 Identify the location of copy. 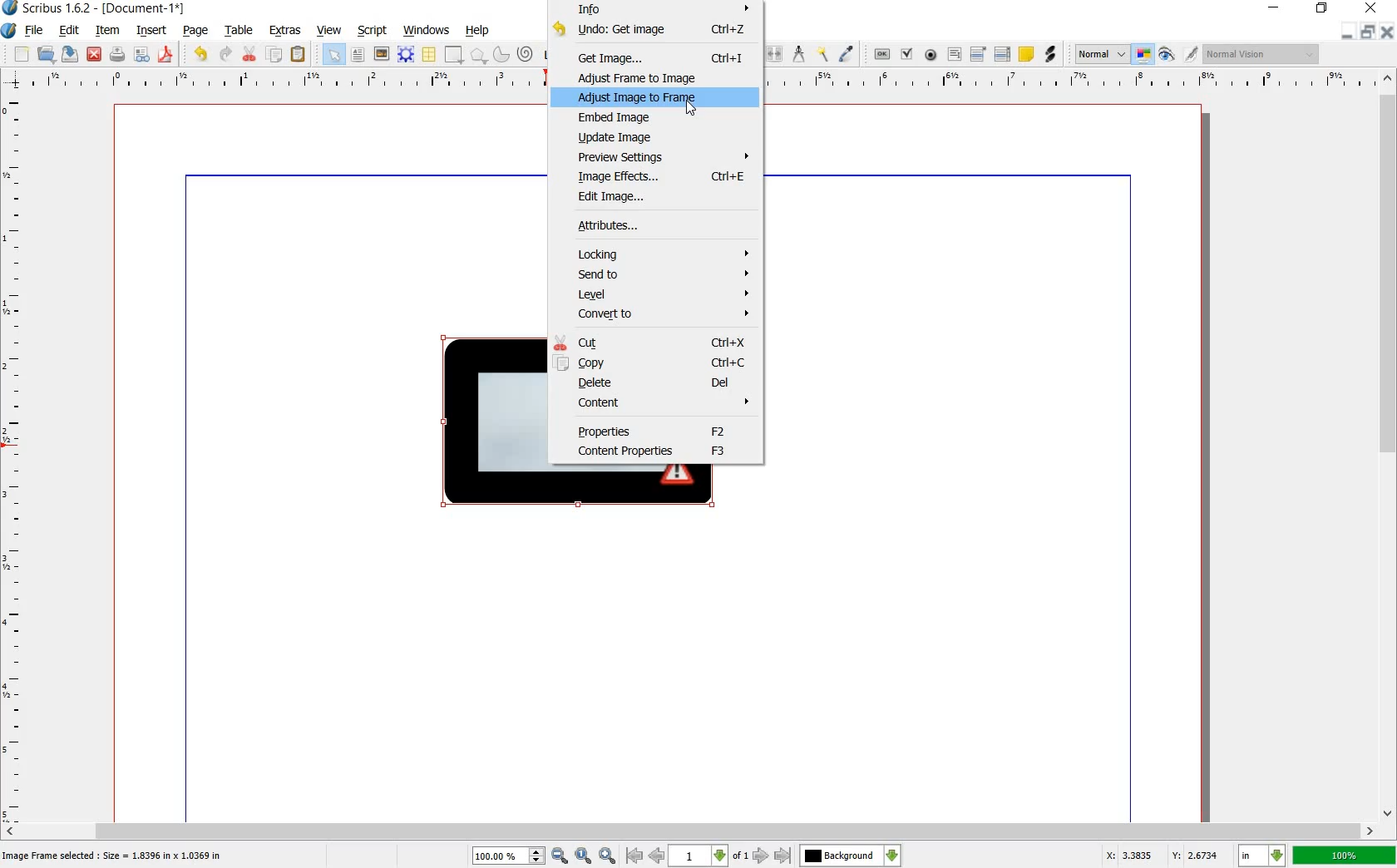
(275, 56).